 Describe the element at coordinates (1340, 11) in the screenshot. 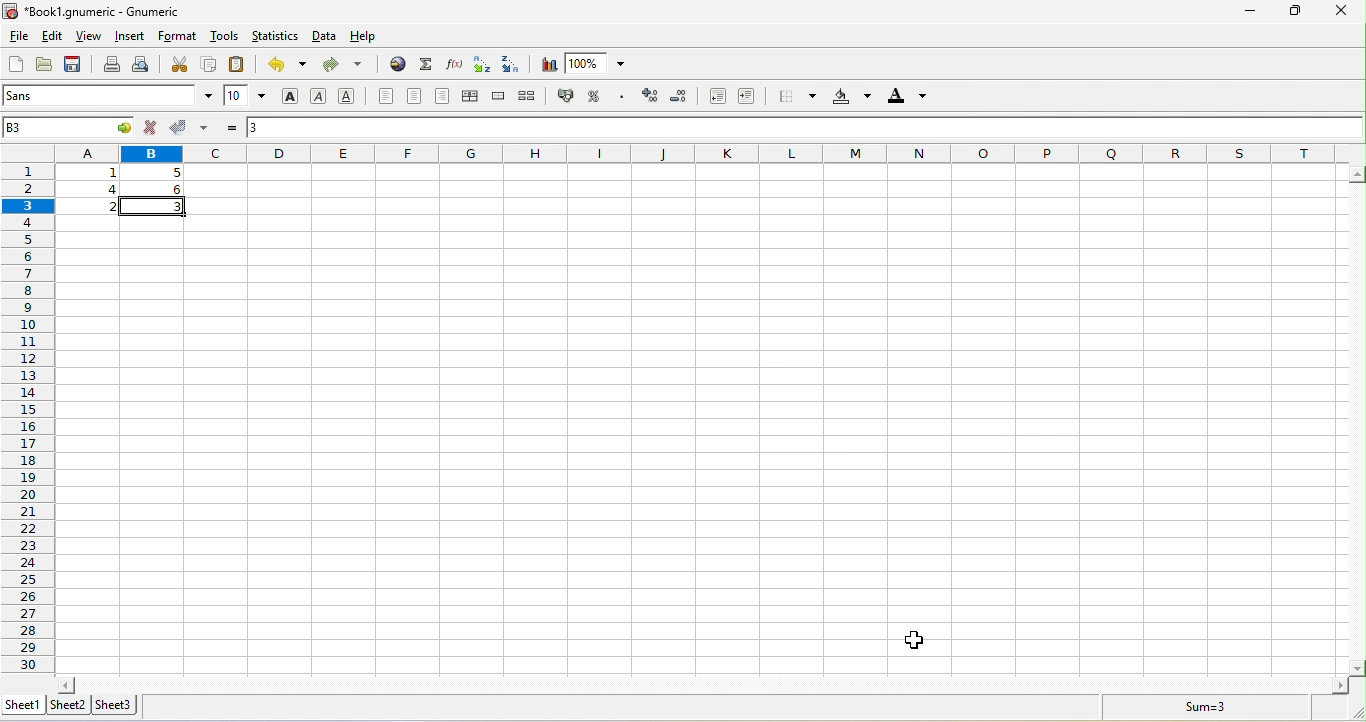

I see `close` at that location.